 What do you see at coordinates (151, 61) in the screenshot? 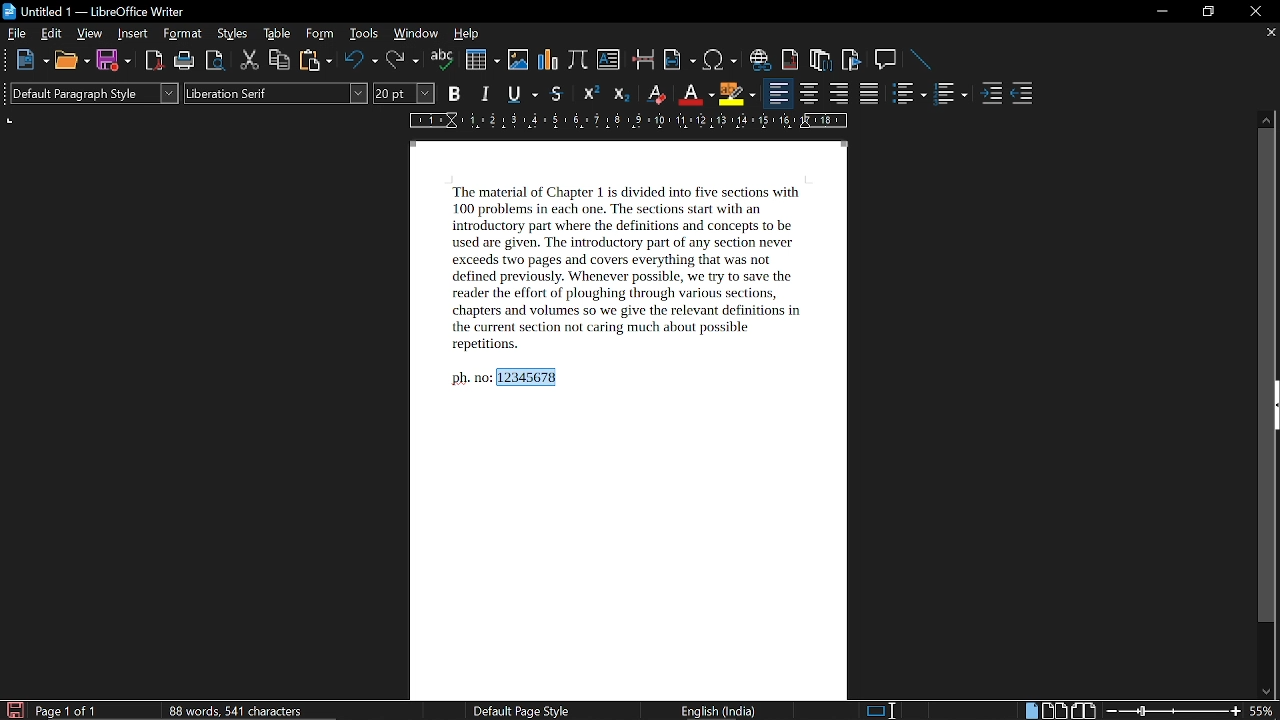
I see `export as pdf` at bounding box center [151, 61].